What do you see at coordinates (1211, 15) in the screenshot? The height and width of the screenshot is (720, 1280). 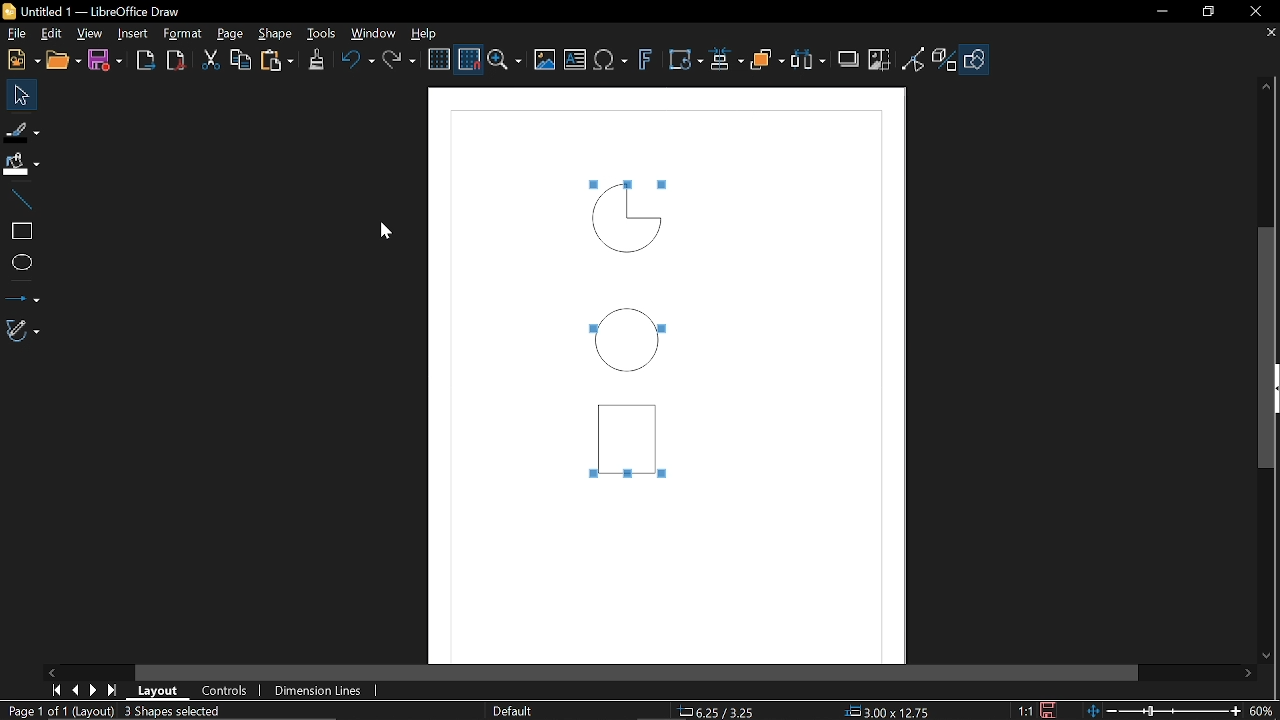 I see `REstore down` at bounding box center [1211, 15].